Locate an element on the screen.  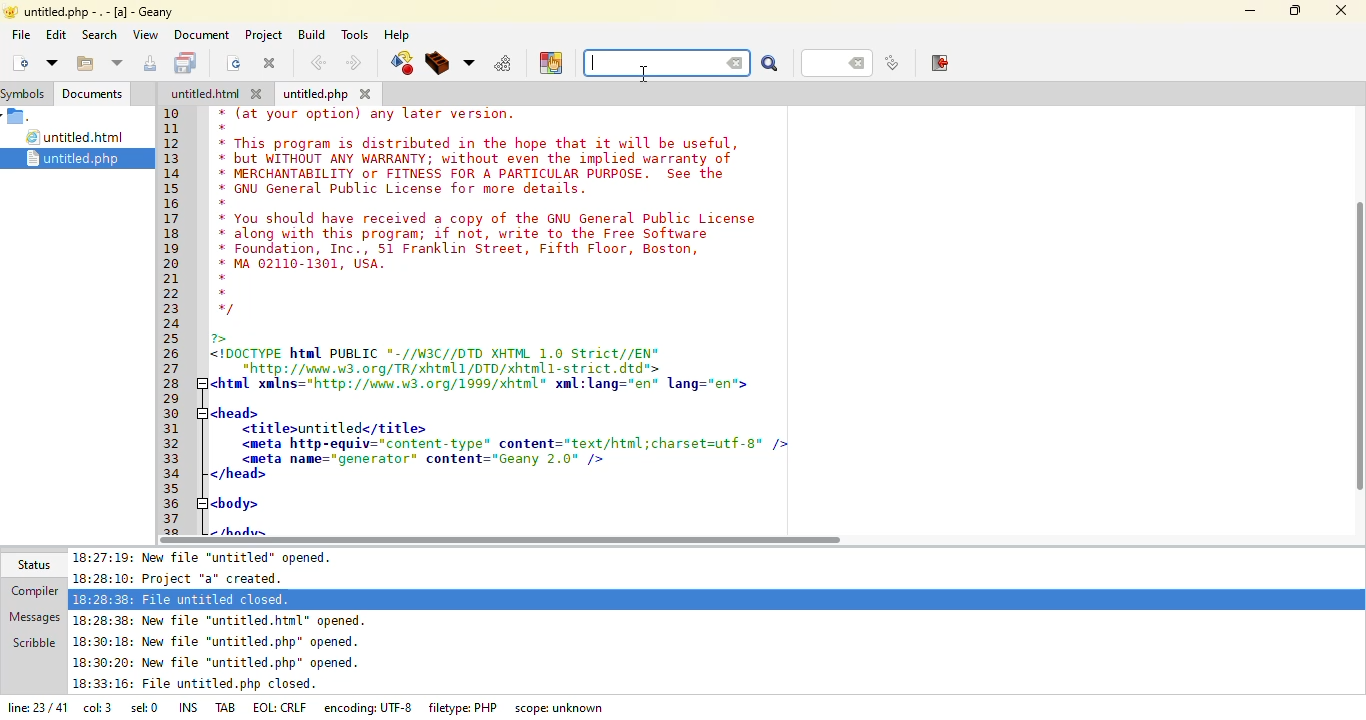
cursor is located at coordinates (642, 74).